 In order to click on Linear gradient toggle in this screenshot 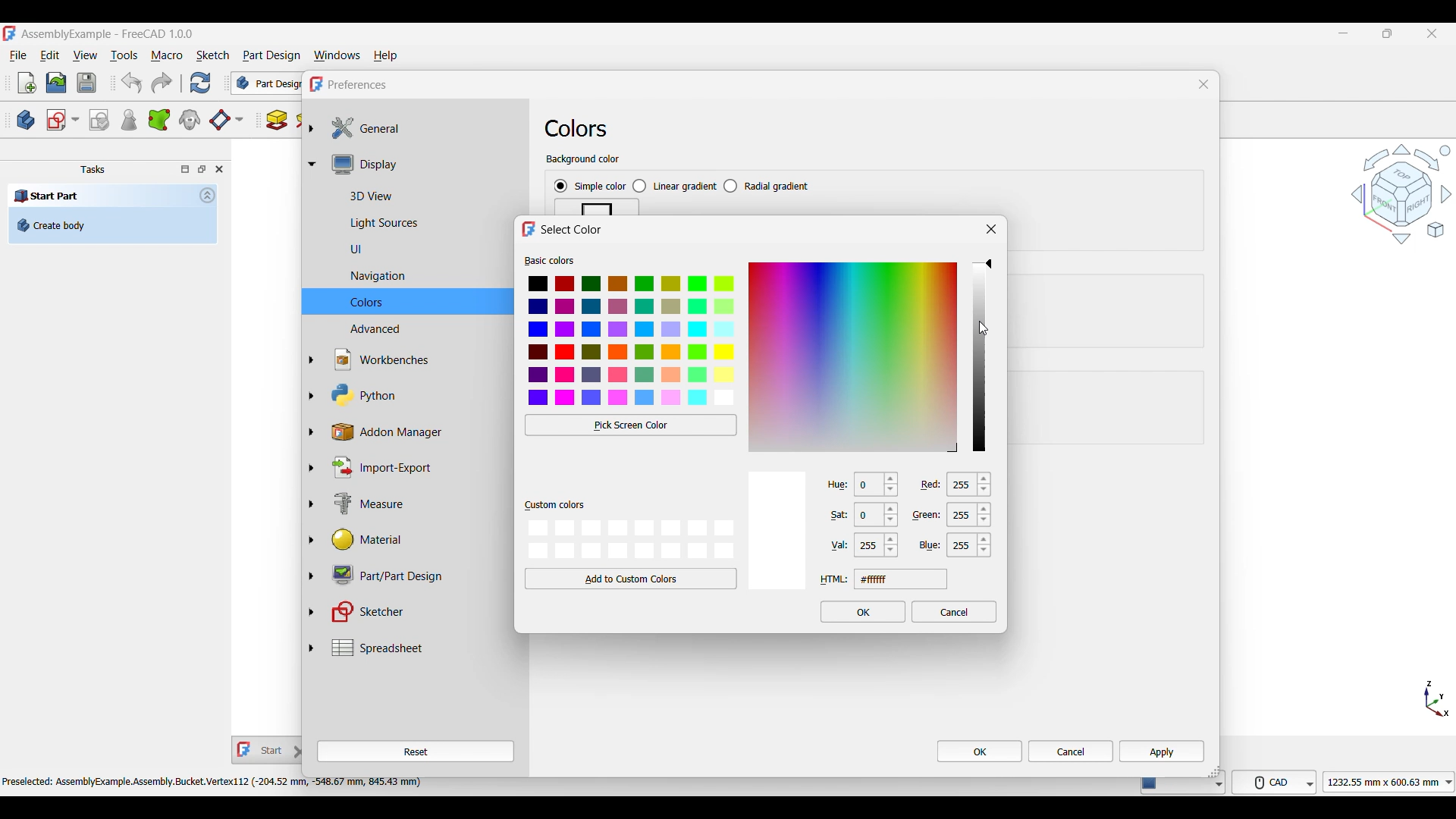, I will do `click(674, 187)`.